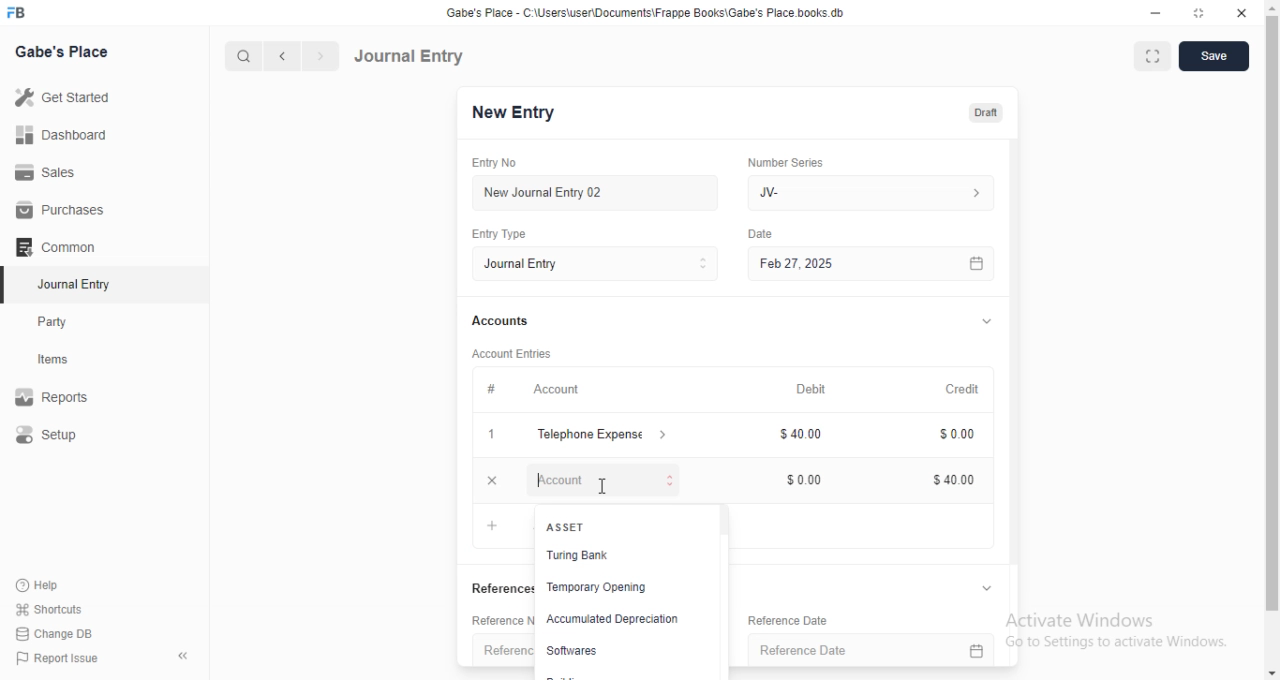  What do you see at coordinates (519, 353) in the screenshot?
I see `Account entries` at bounding box center [519, 353].